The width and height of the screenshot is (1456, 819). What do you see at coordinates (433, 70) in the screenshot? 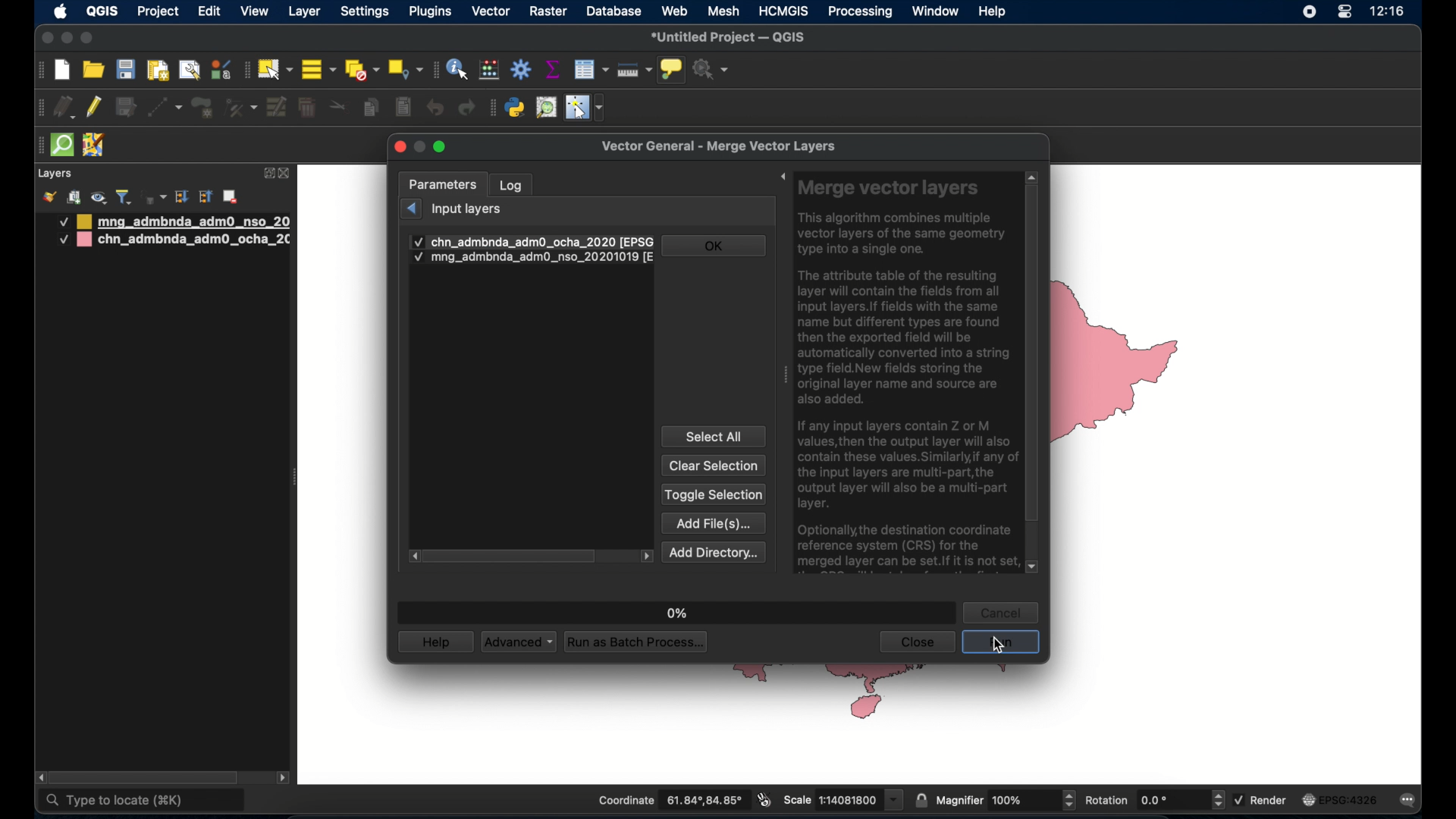
I see `attributes toolbar` at bounding box center [433, 70].